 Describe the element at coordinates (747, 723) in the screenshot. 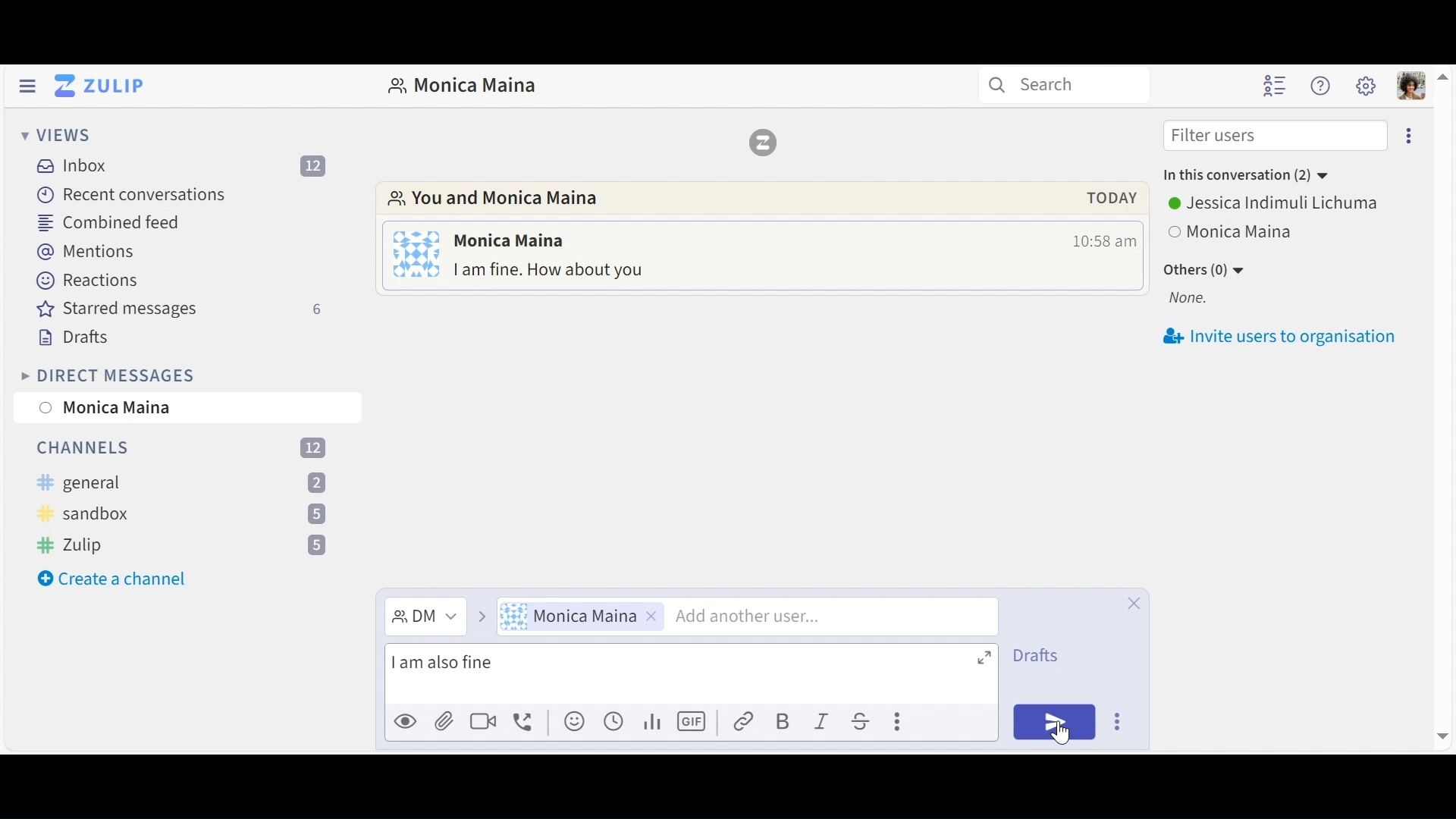

I see `Link` at that location.